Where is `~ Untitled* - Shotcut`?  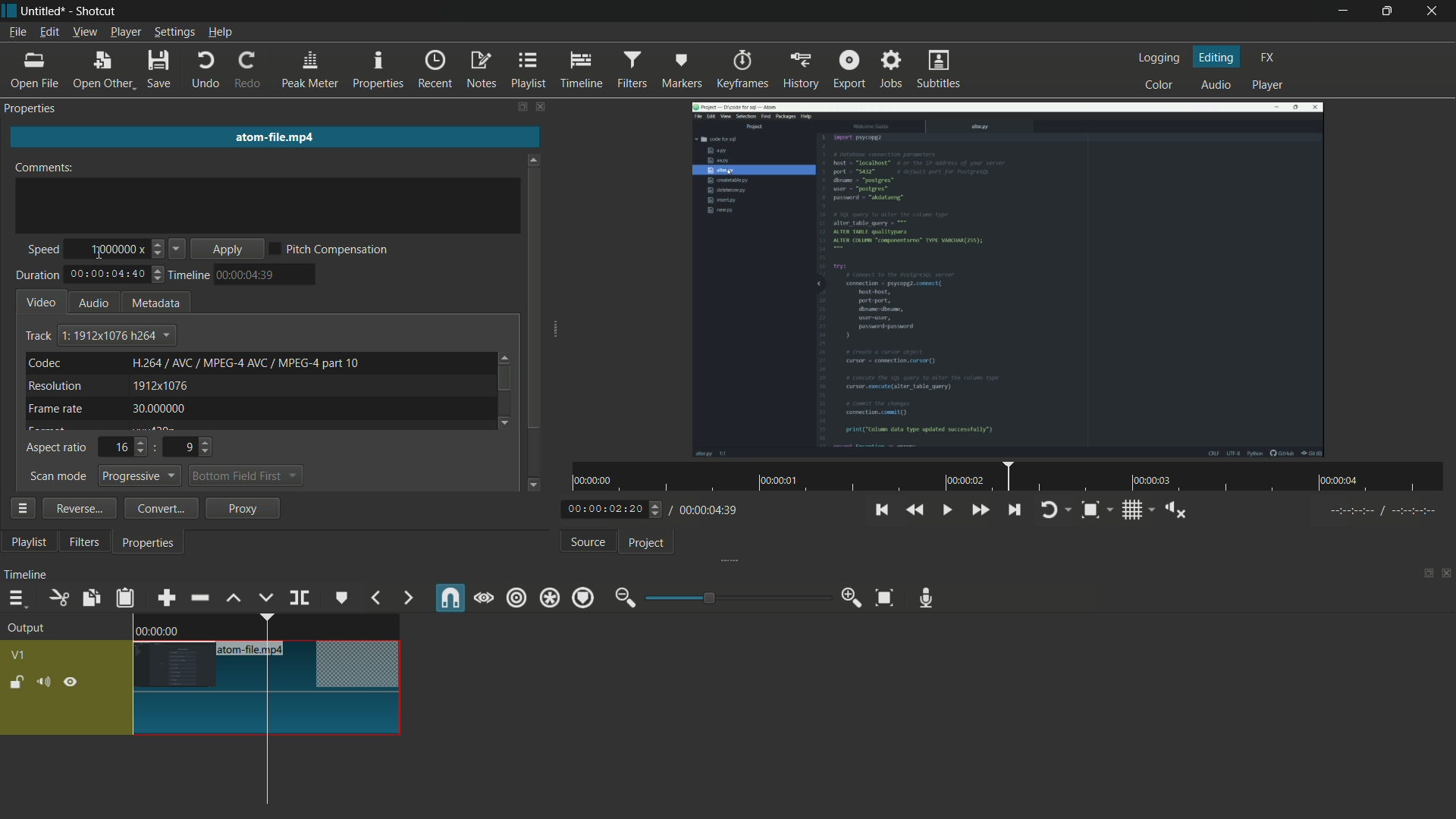 ~ Untitled* - Shotcut is located at coordinates (66, 11).